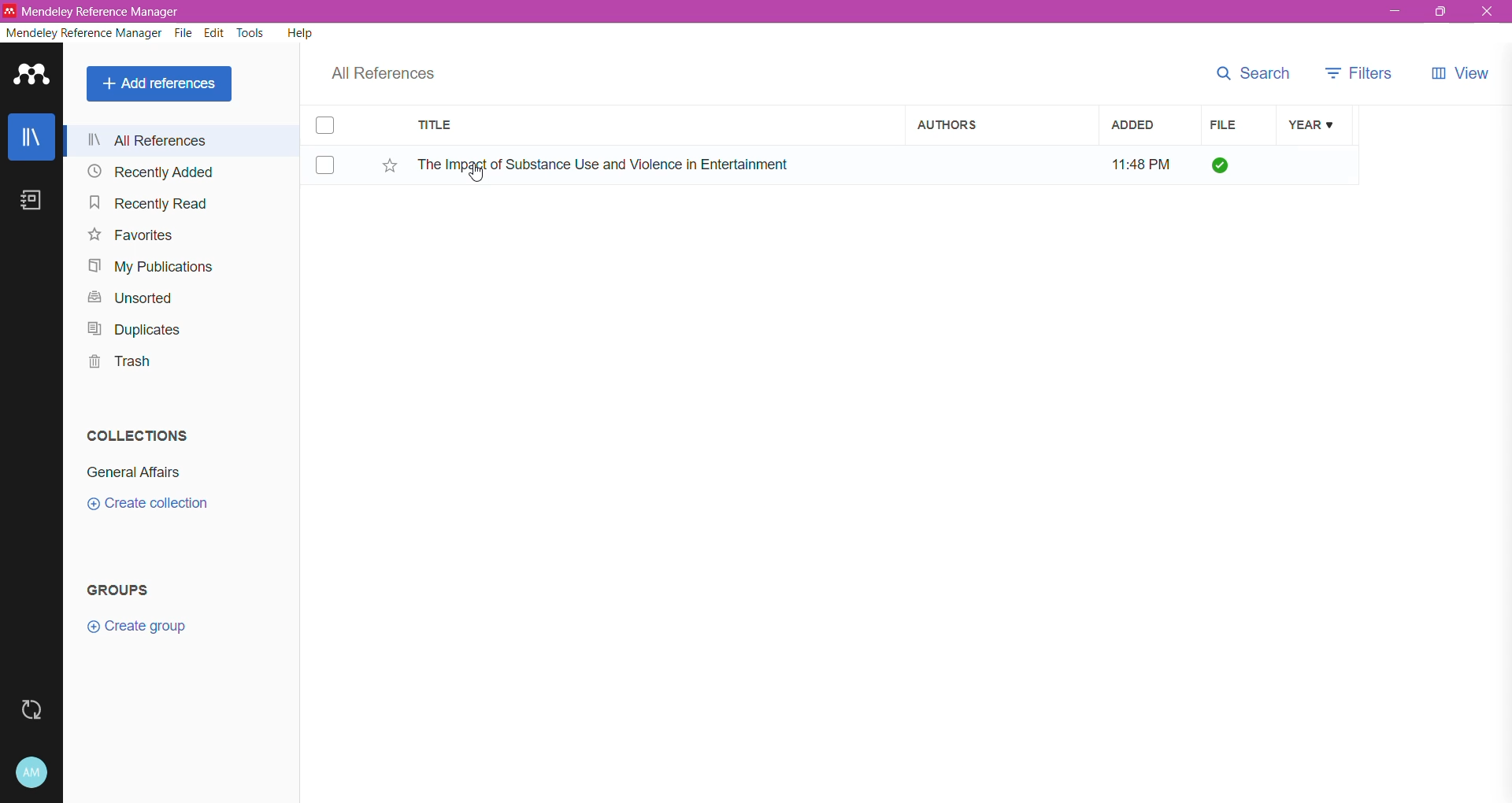 The height and width of the screenshot is (803, 1512). Describe the element at coordinates (1253, 76) in the screenshot. I see `Search` at that location.